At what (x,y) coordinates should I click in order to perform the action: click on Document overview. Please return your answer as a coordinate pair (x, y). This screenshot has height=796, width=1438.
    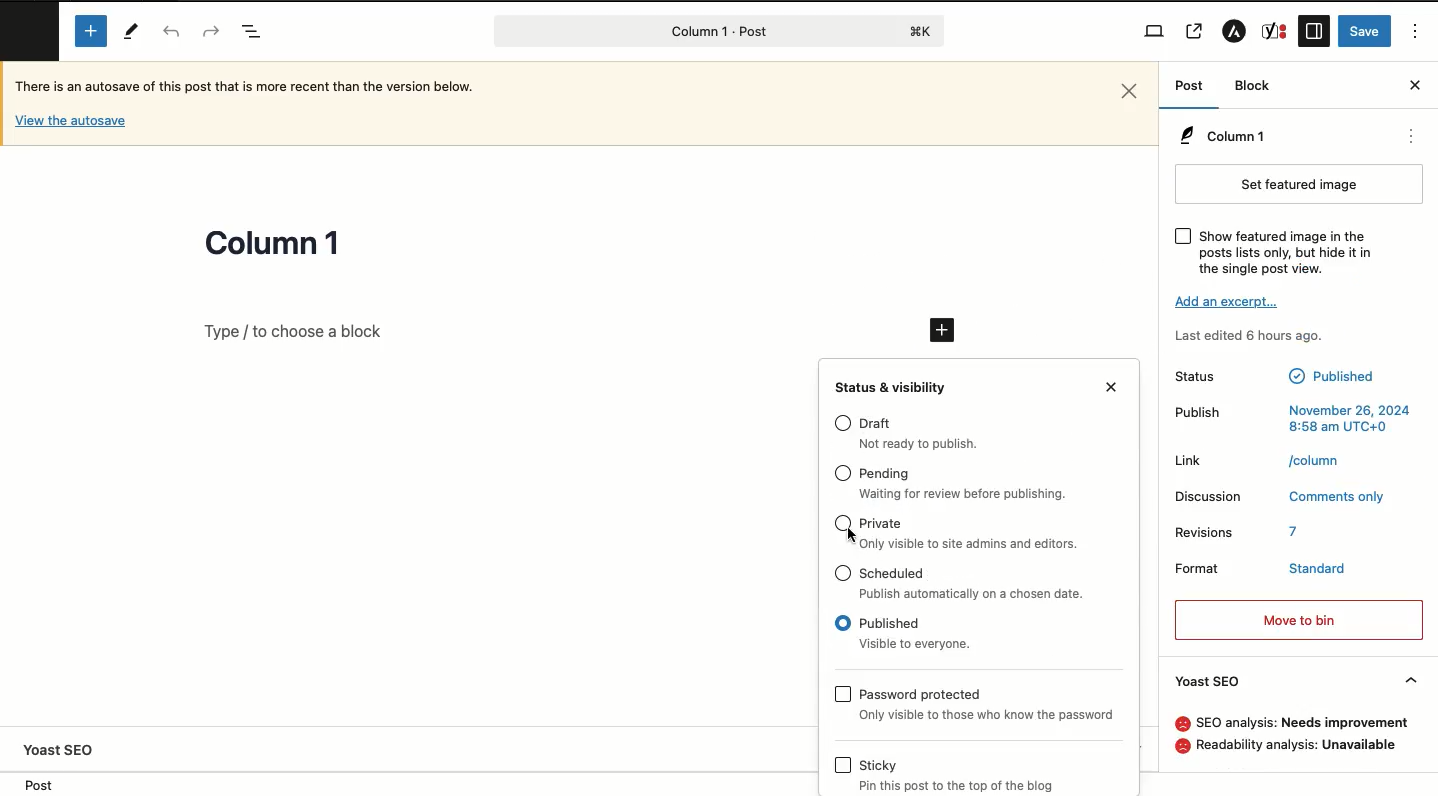
    Looking at the image, I should click on (253, 33).